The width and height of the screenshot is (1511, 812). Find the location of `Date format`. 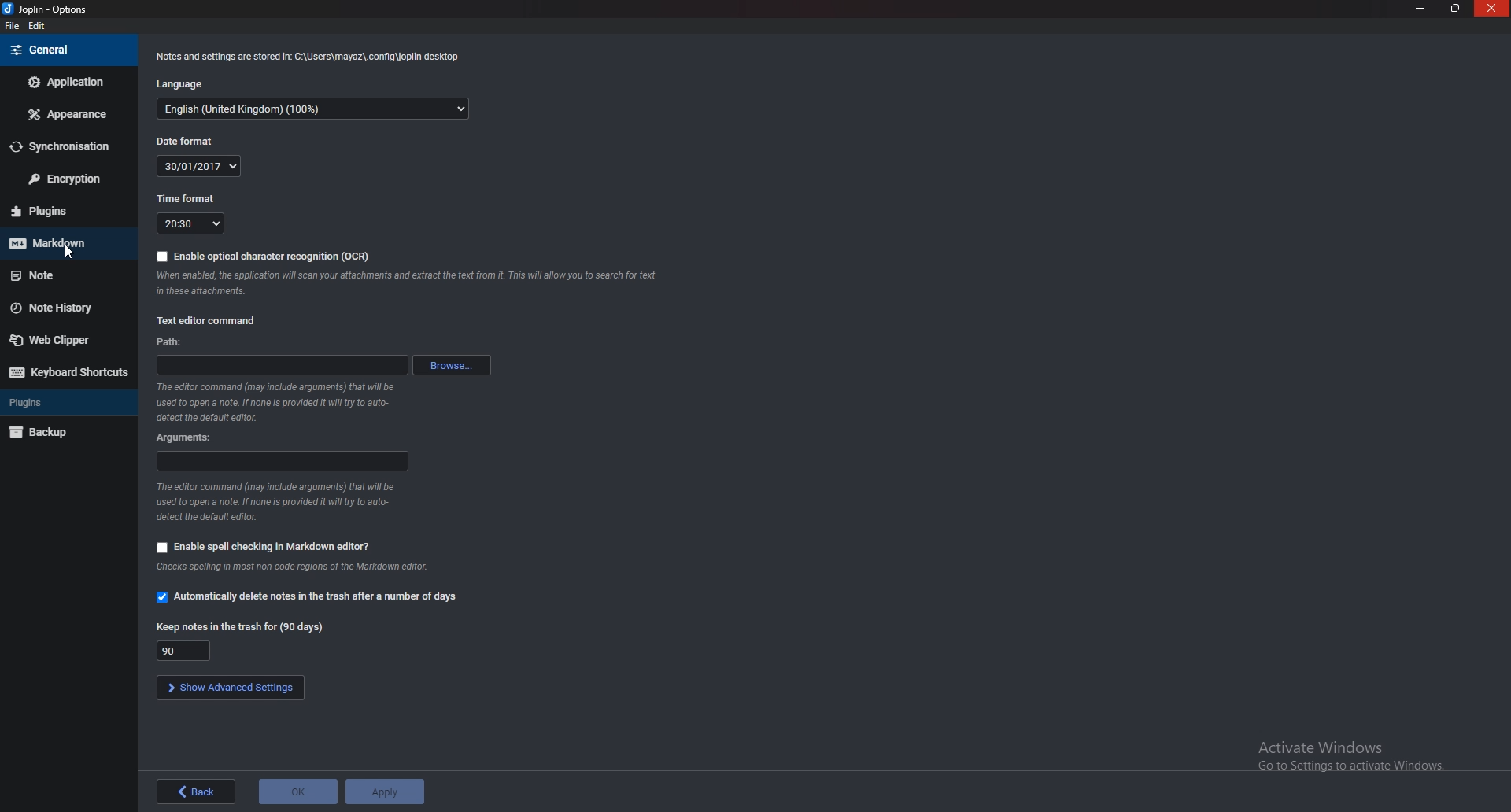

Date format is located at coordinates (179, 140).